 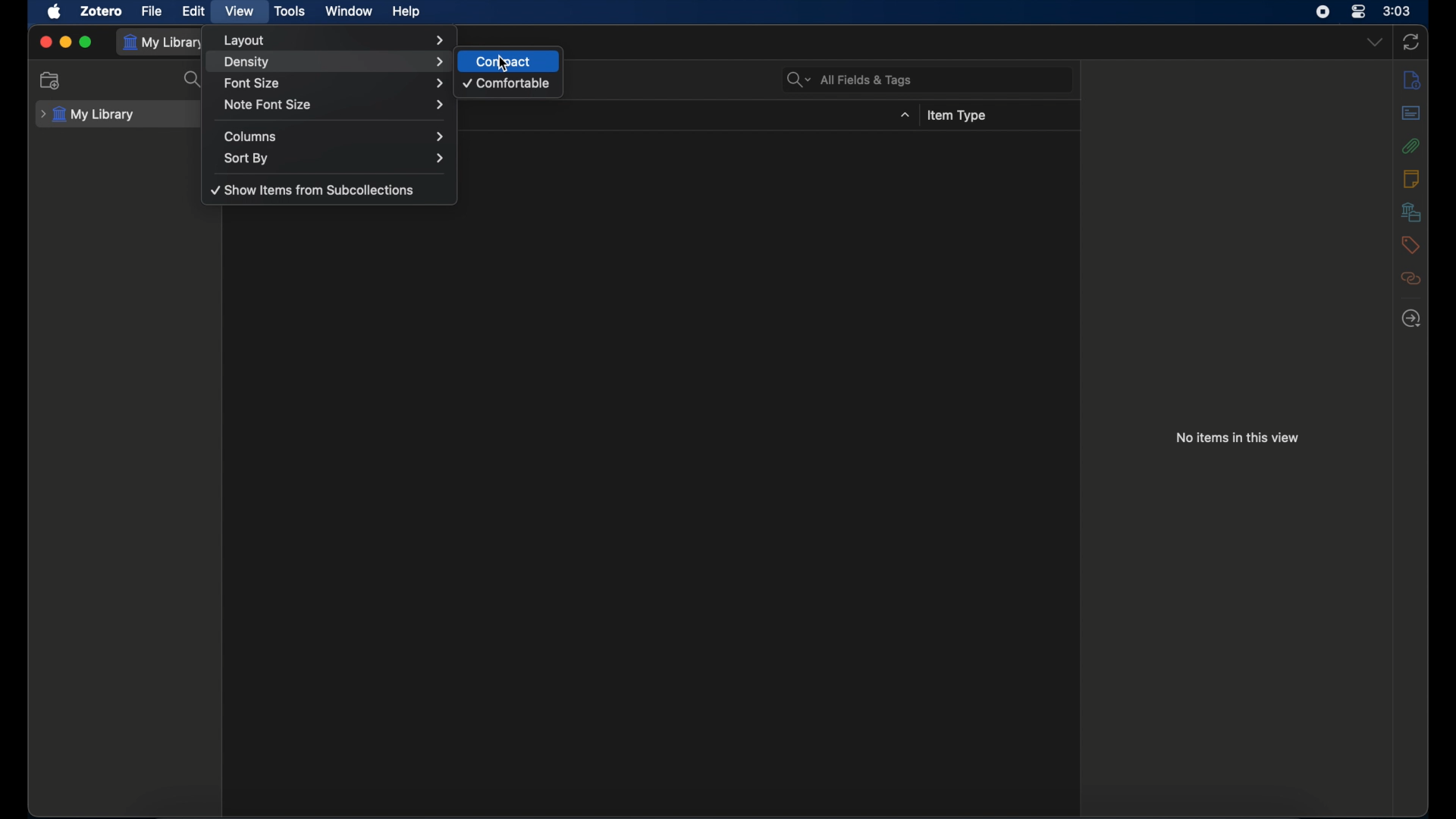 I want to click on item type, so click(x=959, y=117).